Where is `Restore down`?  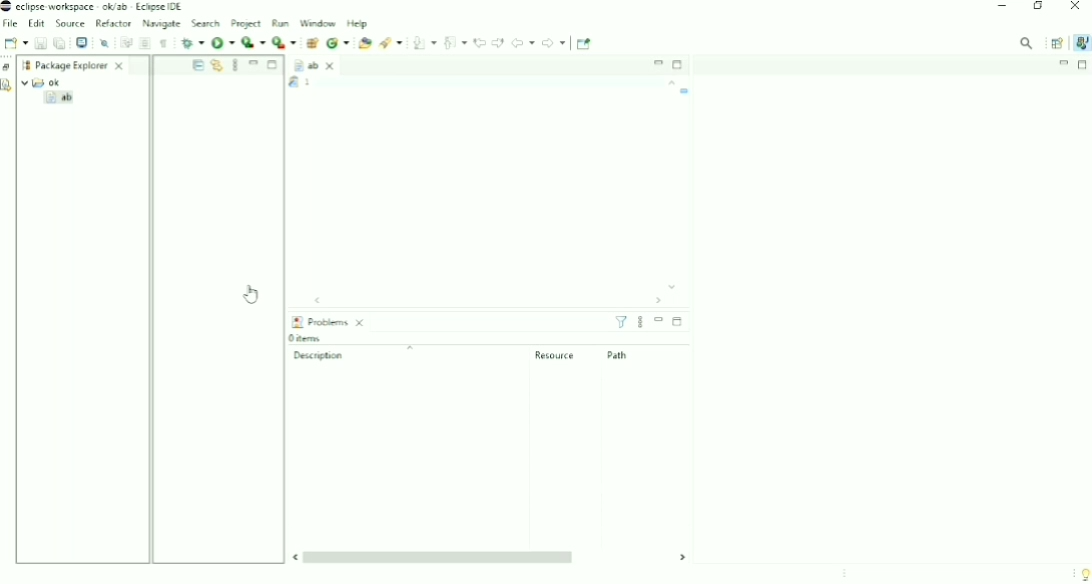
Restore down is located at coordinates (1037, 7).